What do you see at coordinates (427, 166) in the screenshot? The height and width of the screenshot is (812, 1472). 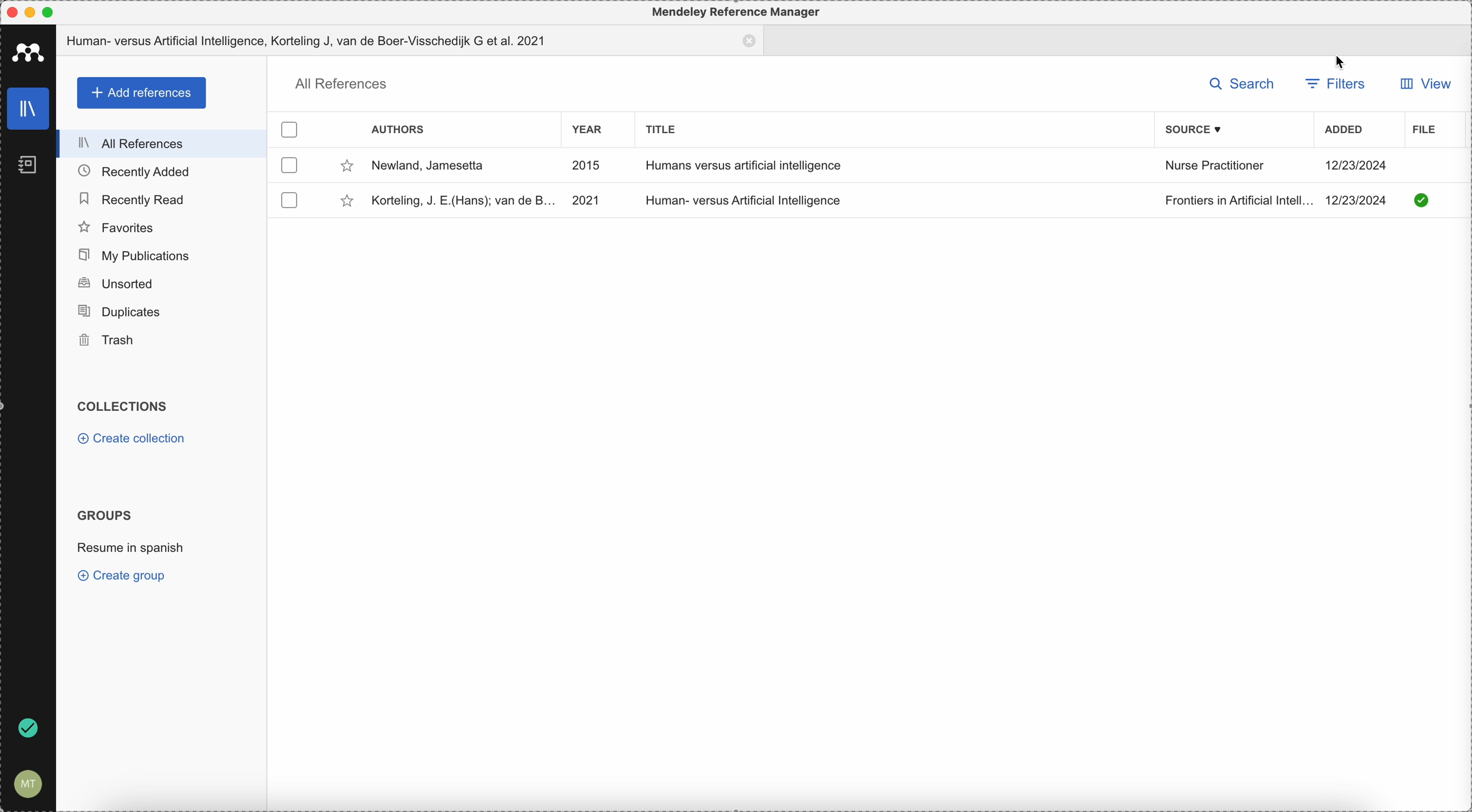 I see `Newlad, Jamsetta` at bounding box center [427, 166].